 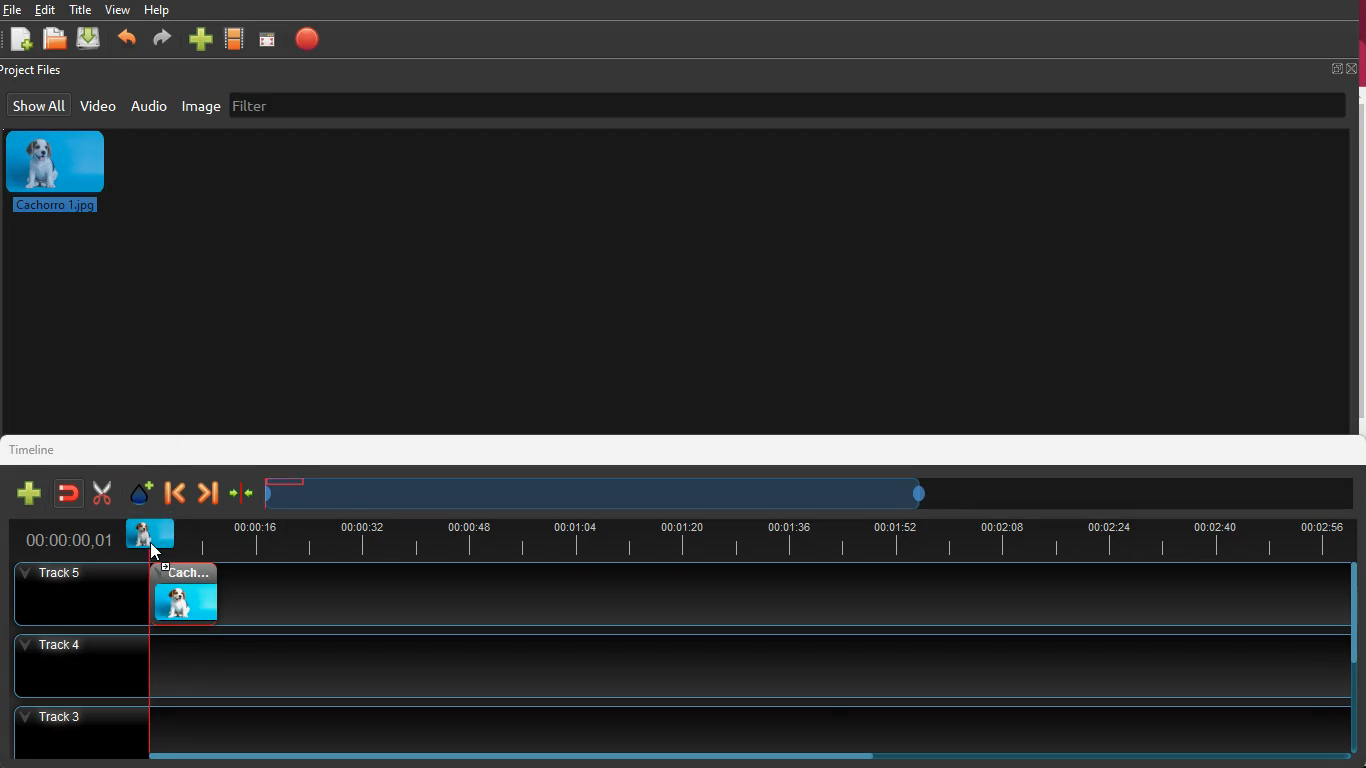 I want to click on title, so click(x=81, y=9).